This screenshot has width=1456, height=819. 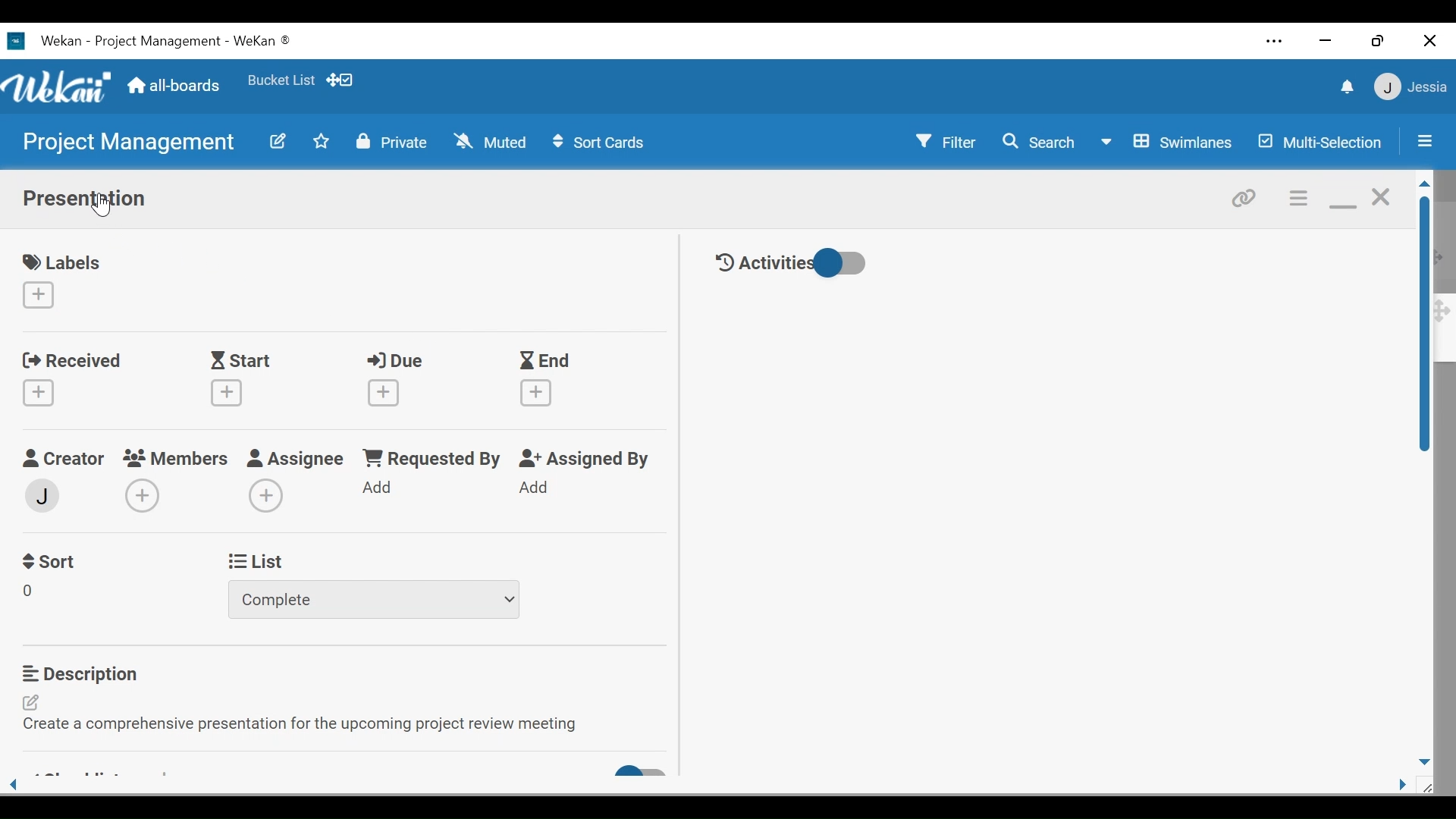 What do you see at coordinates (489, 143) in the screenshot?
I see `Muted` at bounding box center [489, 143].